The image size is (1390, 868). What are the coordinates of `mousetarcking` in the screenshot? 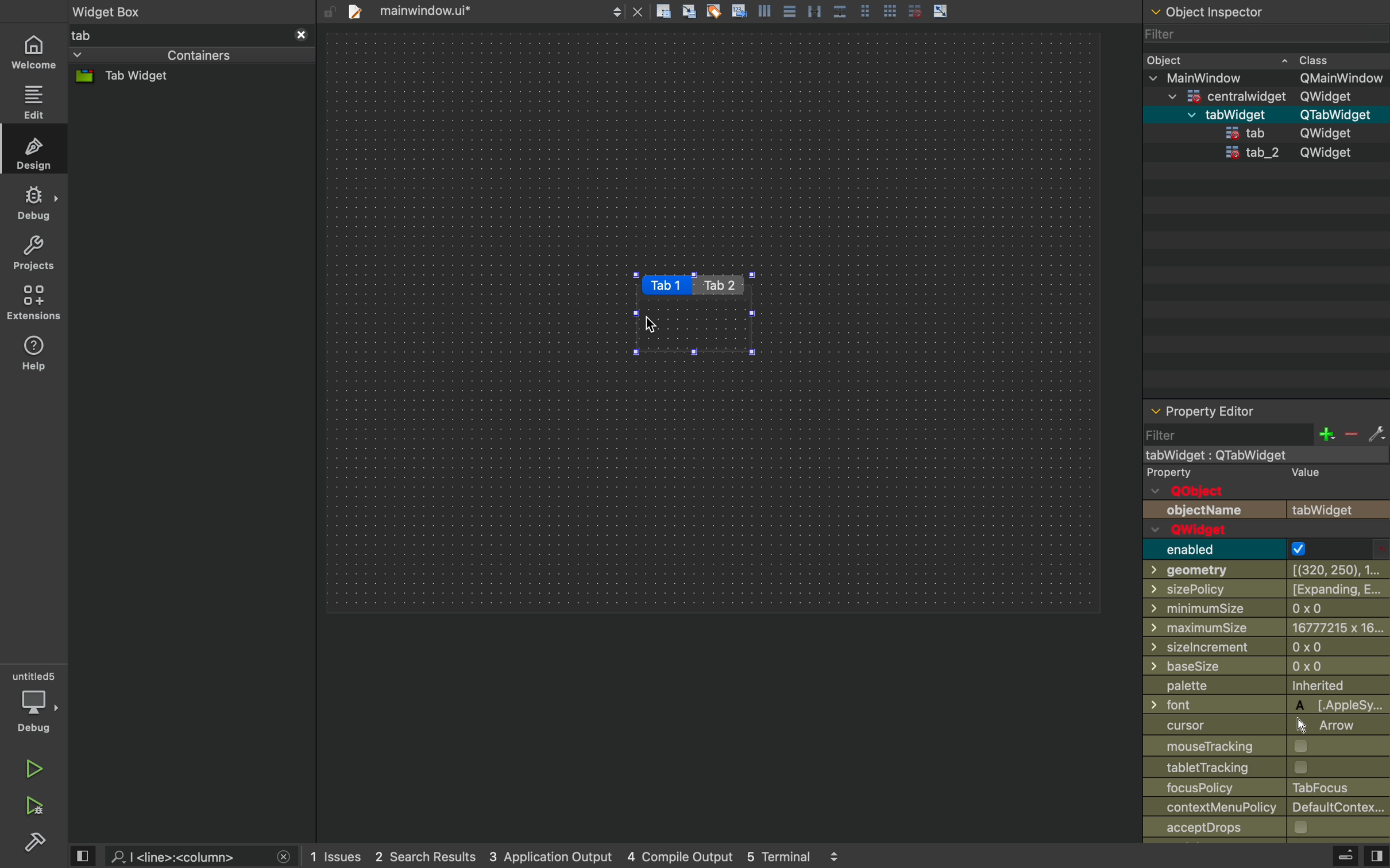 It's located at (1261, 747).